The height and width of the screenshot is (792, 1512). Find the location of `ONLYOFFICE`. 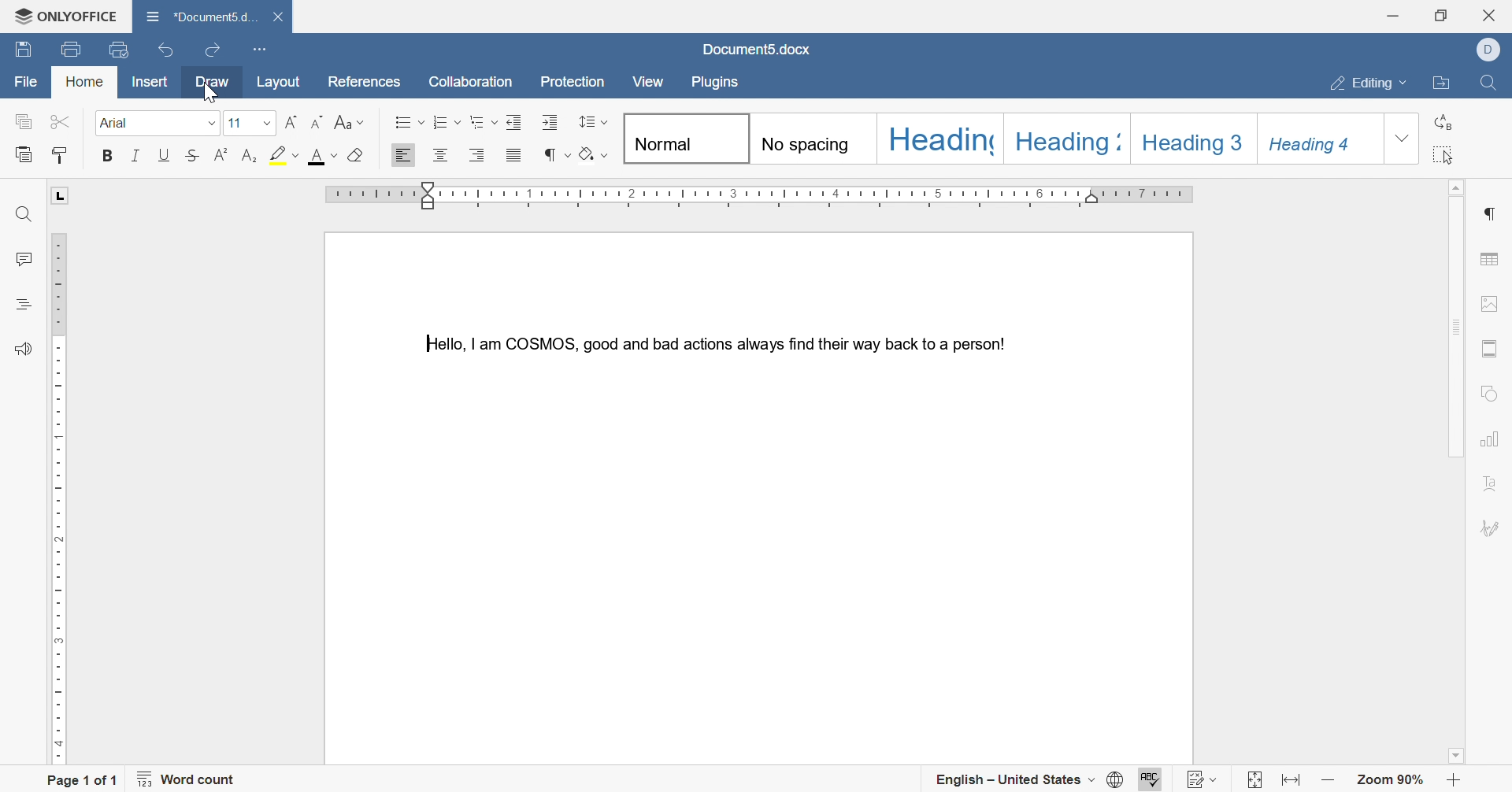

ONLYOFFICE is located at coordinates (60, 13).